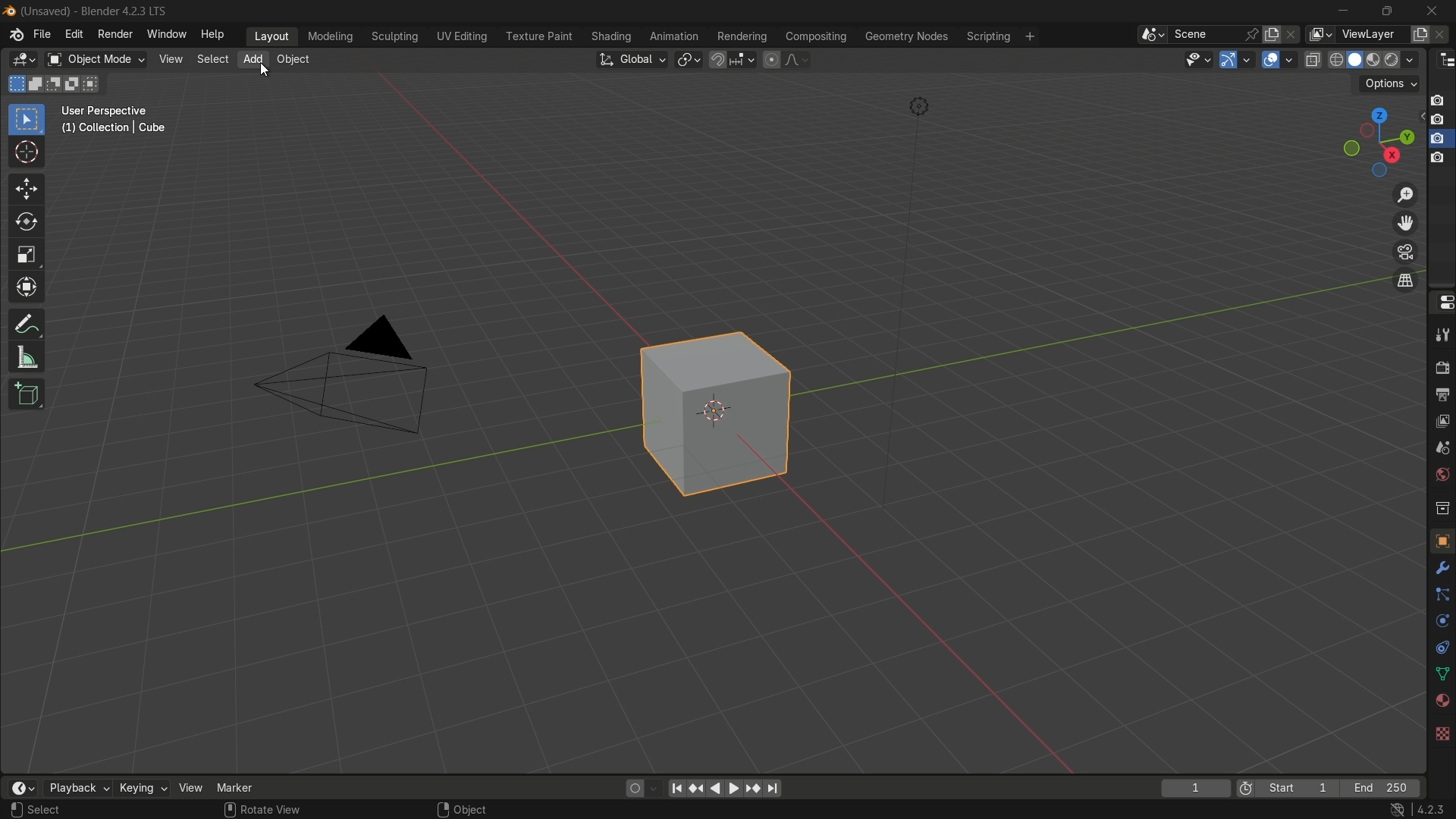 The image size is (1456, 819). Describe the element at coordinates (94, 84) in the screenshot. I see `merge existing selection` at that location.